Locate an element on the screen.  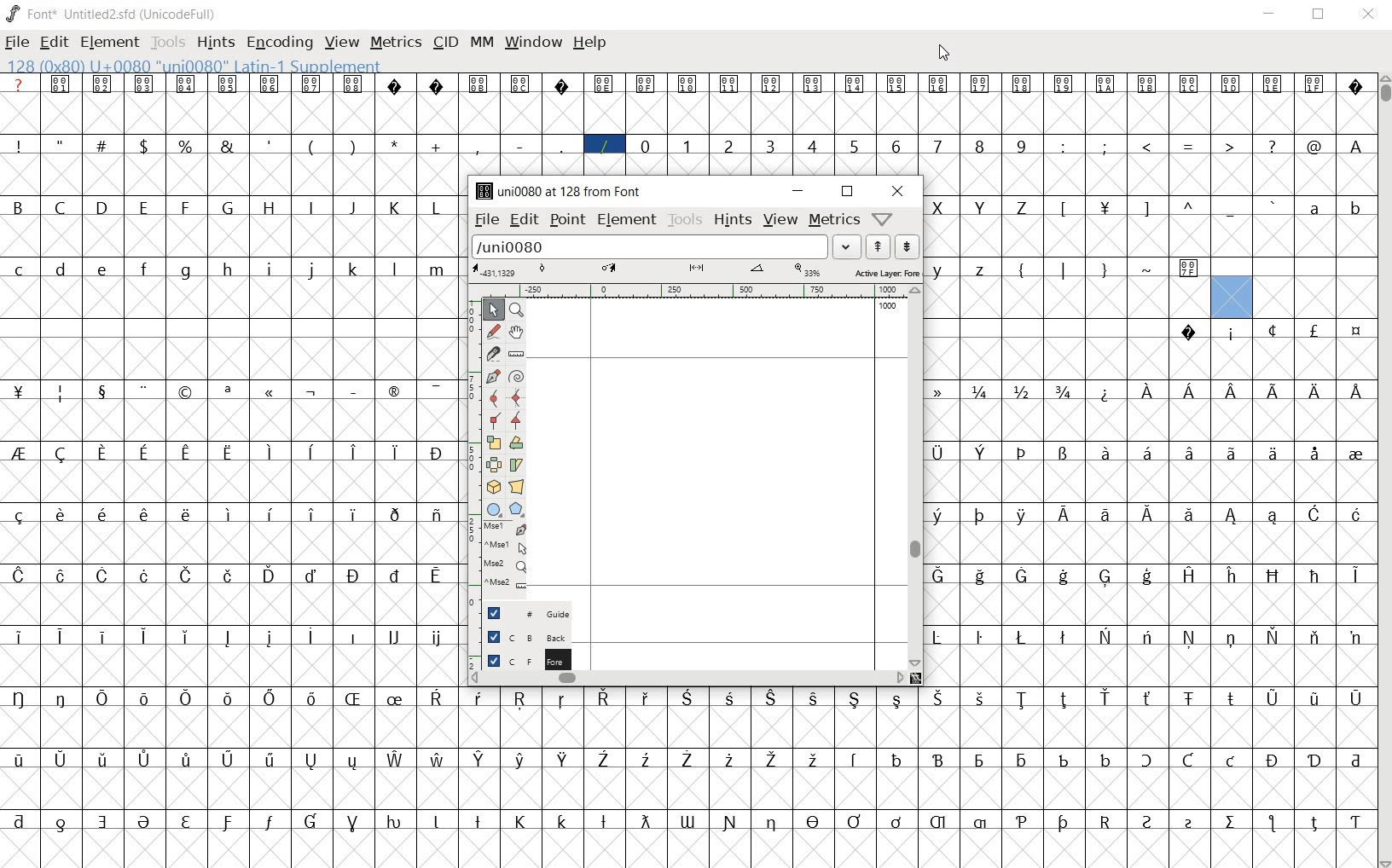
glyph is located at coordinates (187, 759).